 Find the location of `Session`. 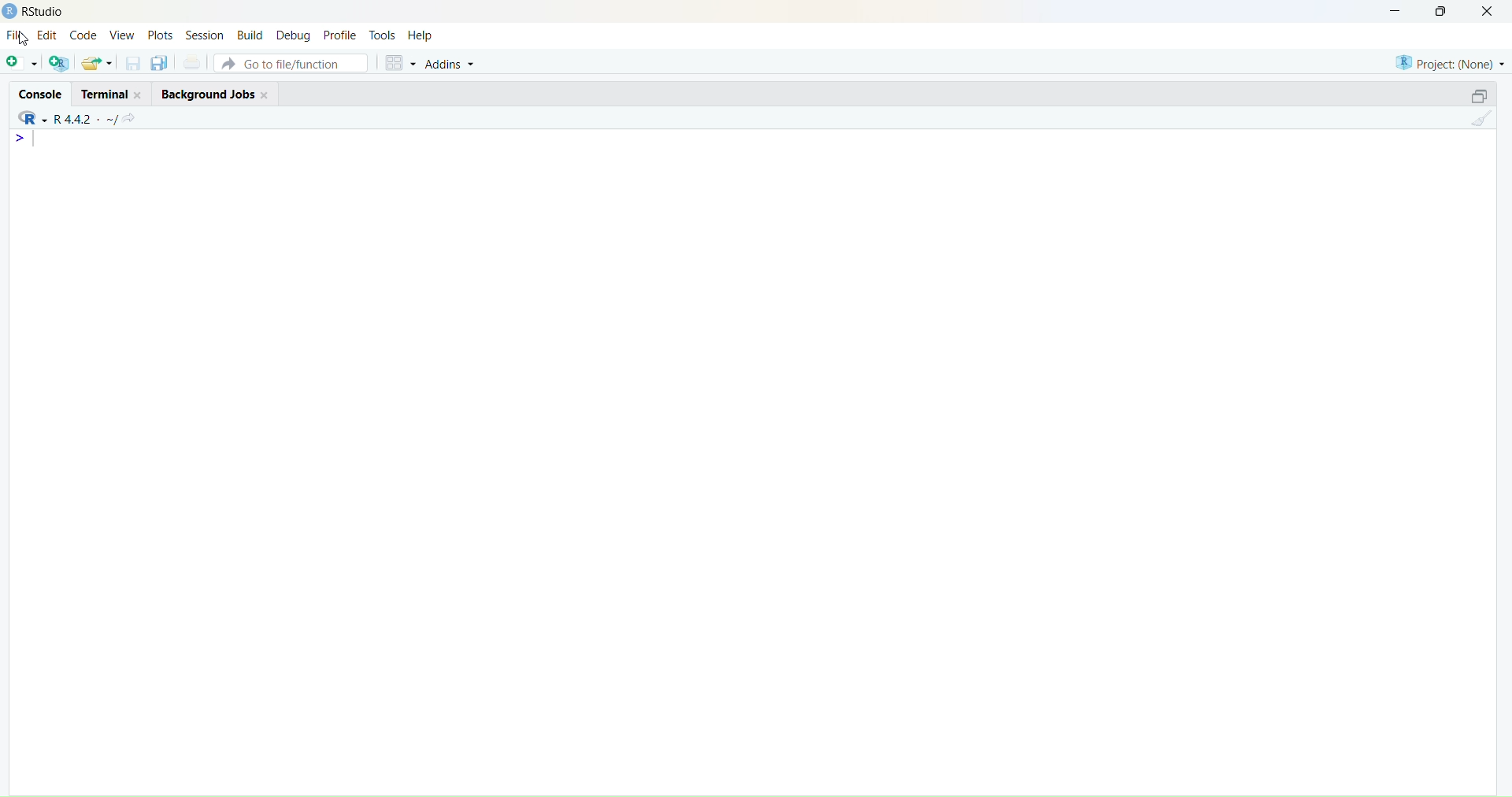

Session is located at coordinates (204, 34).